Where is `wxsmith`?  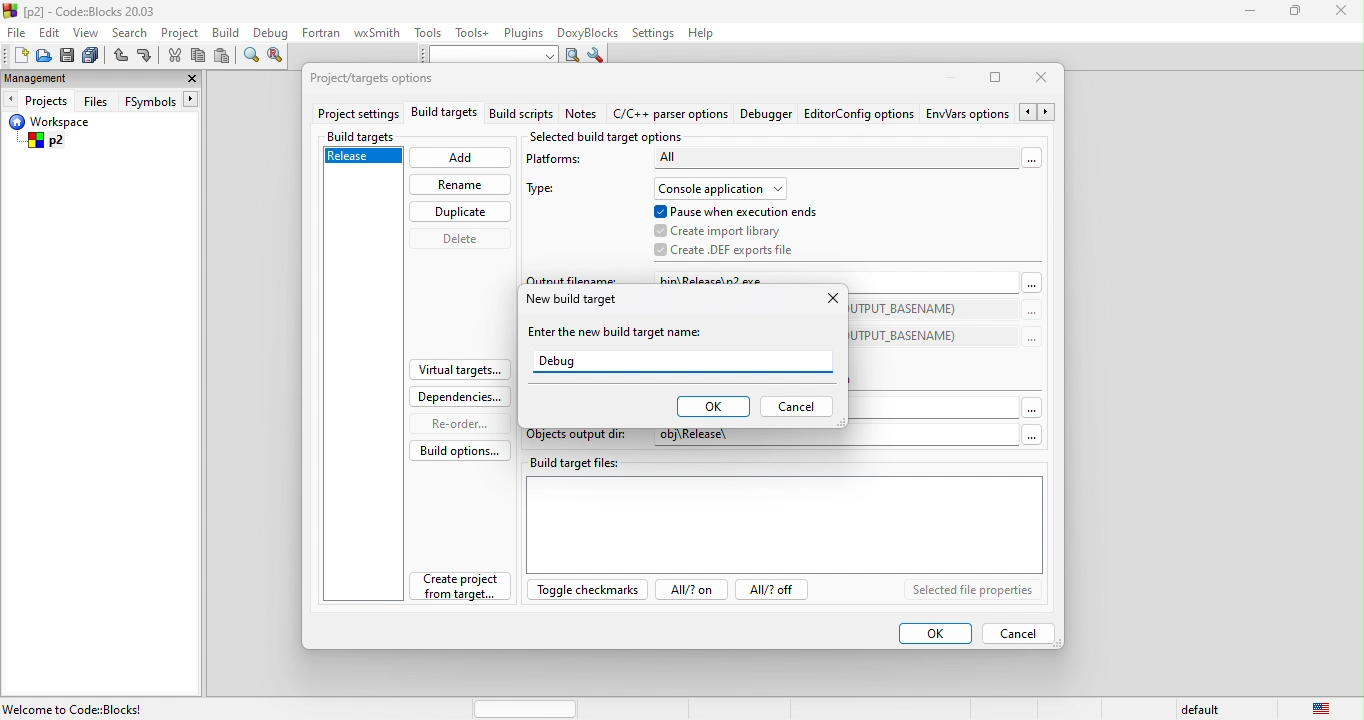 wxsmith is located at coordinates (377, 33).